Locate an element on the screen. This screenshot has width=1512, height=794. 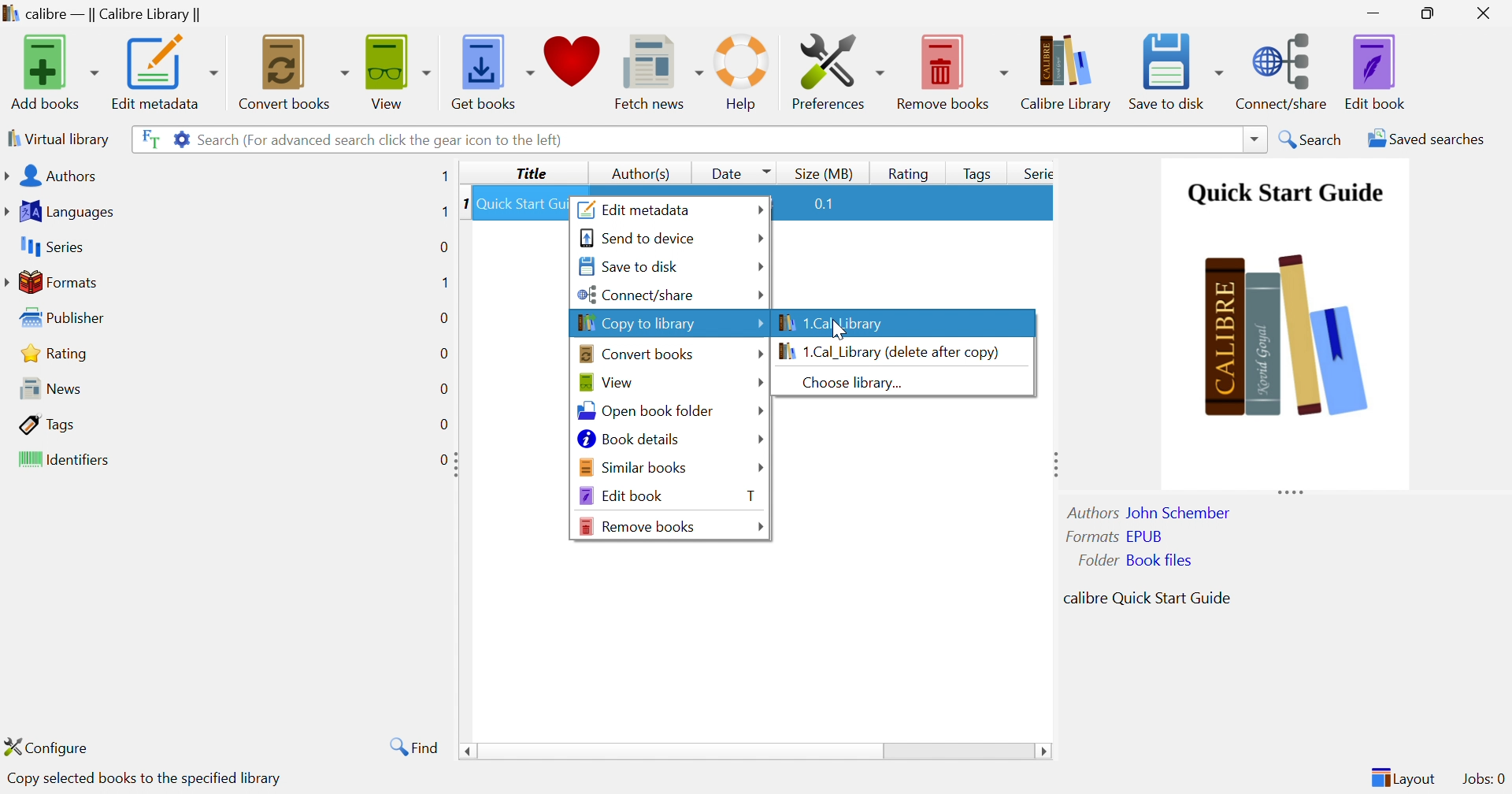
Drop Down is located at coordinates (758, 353).